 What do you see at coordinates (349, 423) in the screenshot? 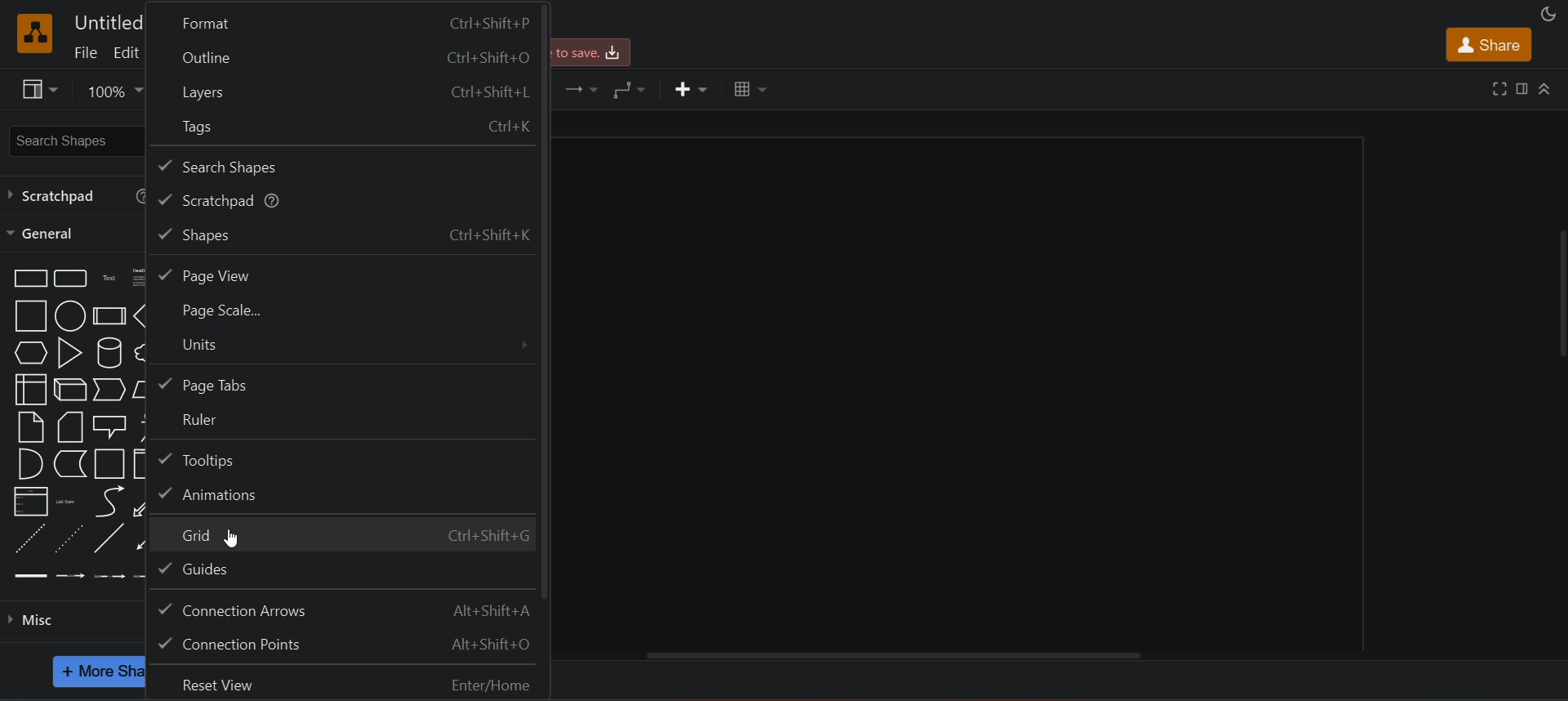
I see `ruler` at bounding box center [349, 423].